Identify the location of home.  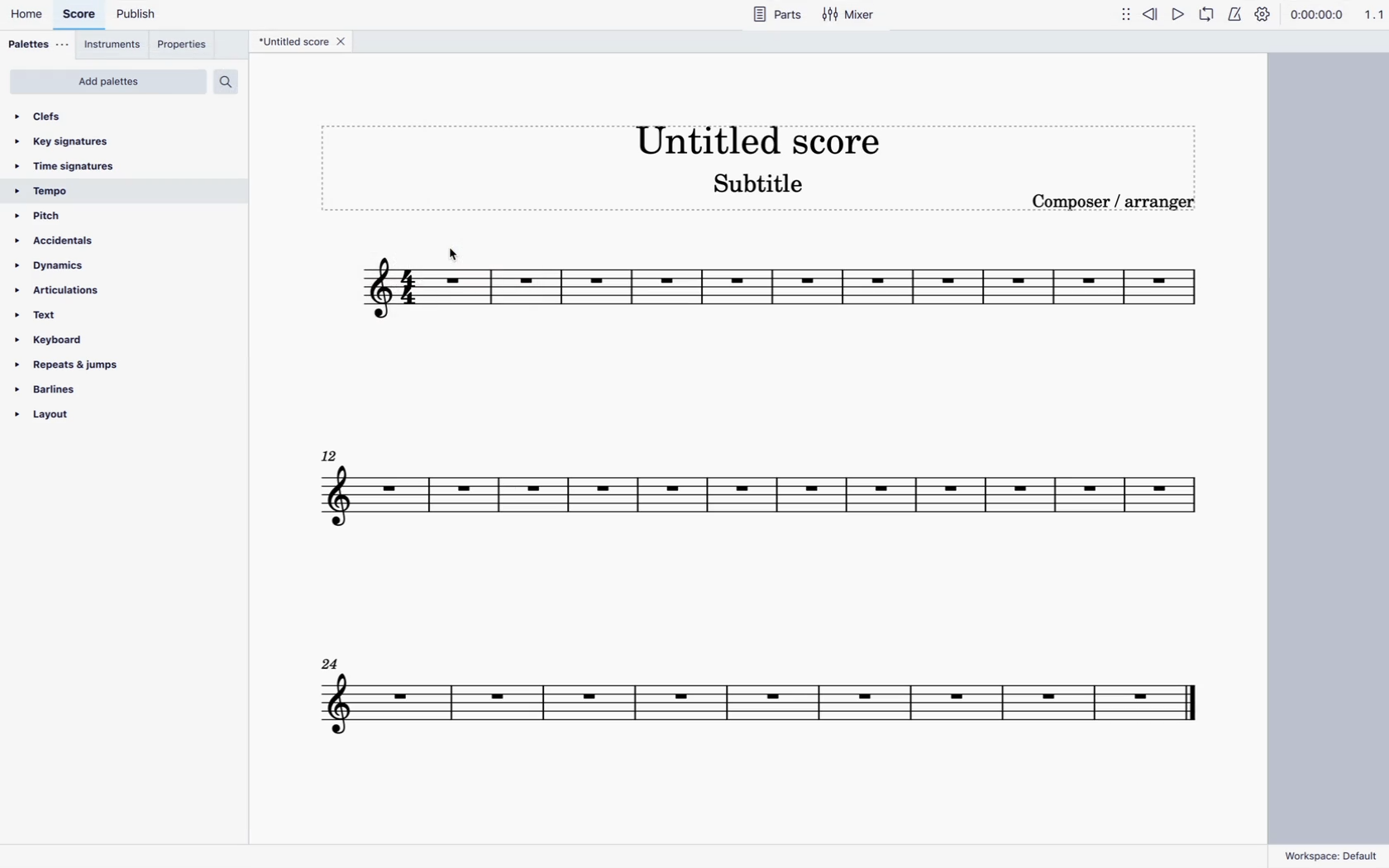
(30, 16).